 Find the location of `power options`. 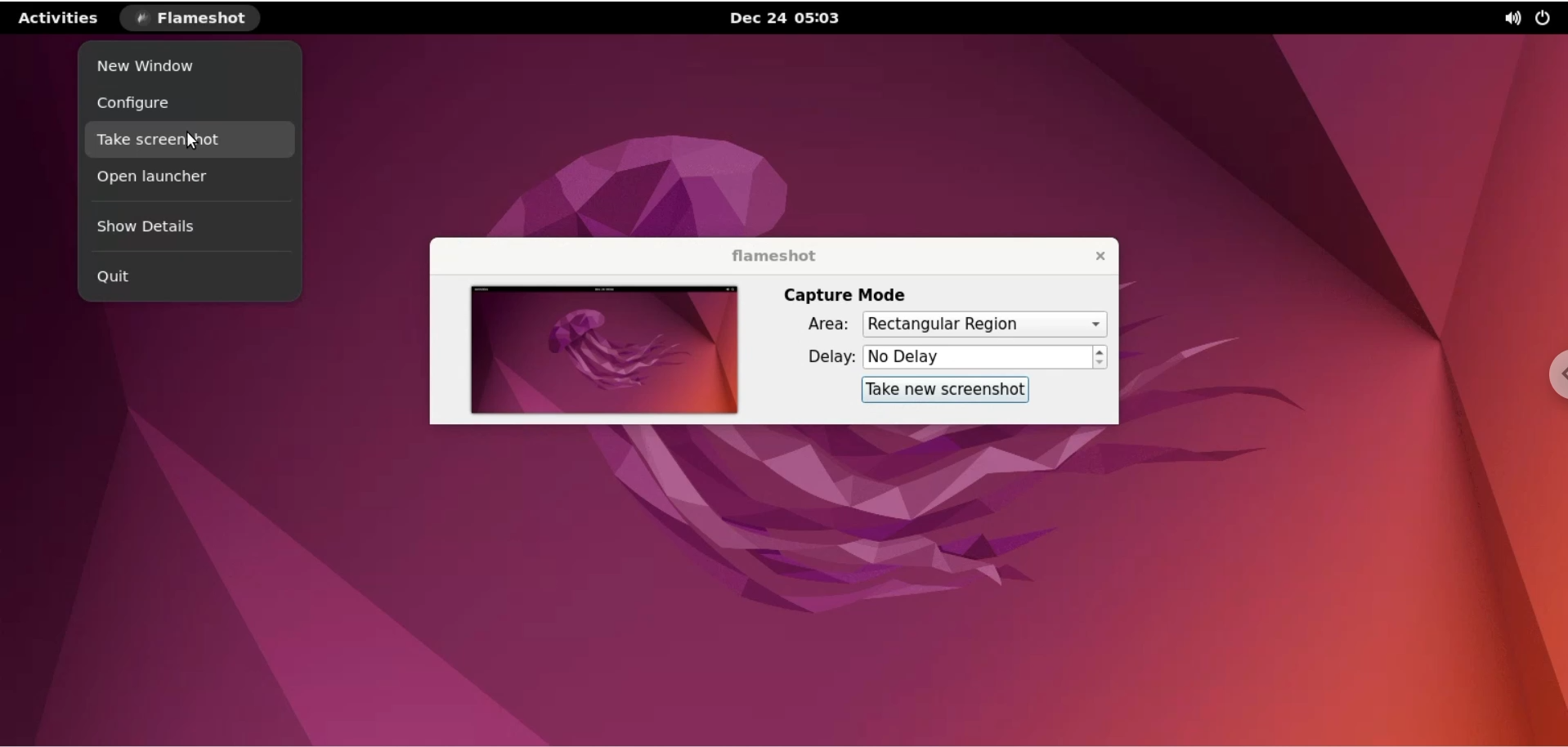

power options is located at coordinates (1547, 16).